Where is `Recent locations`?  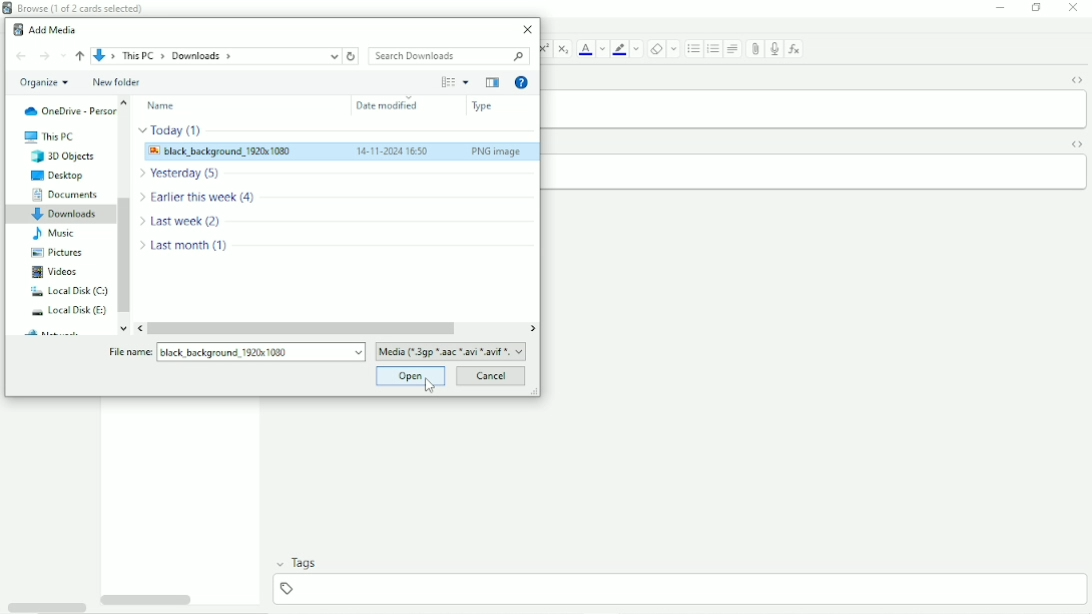
Recent locations is located at coordinates (64, 55).